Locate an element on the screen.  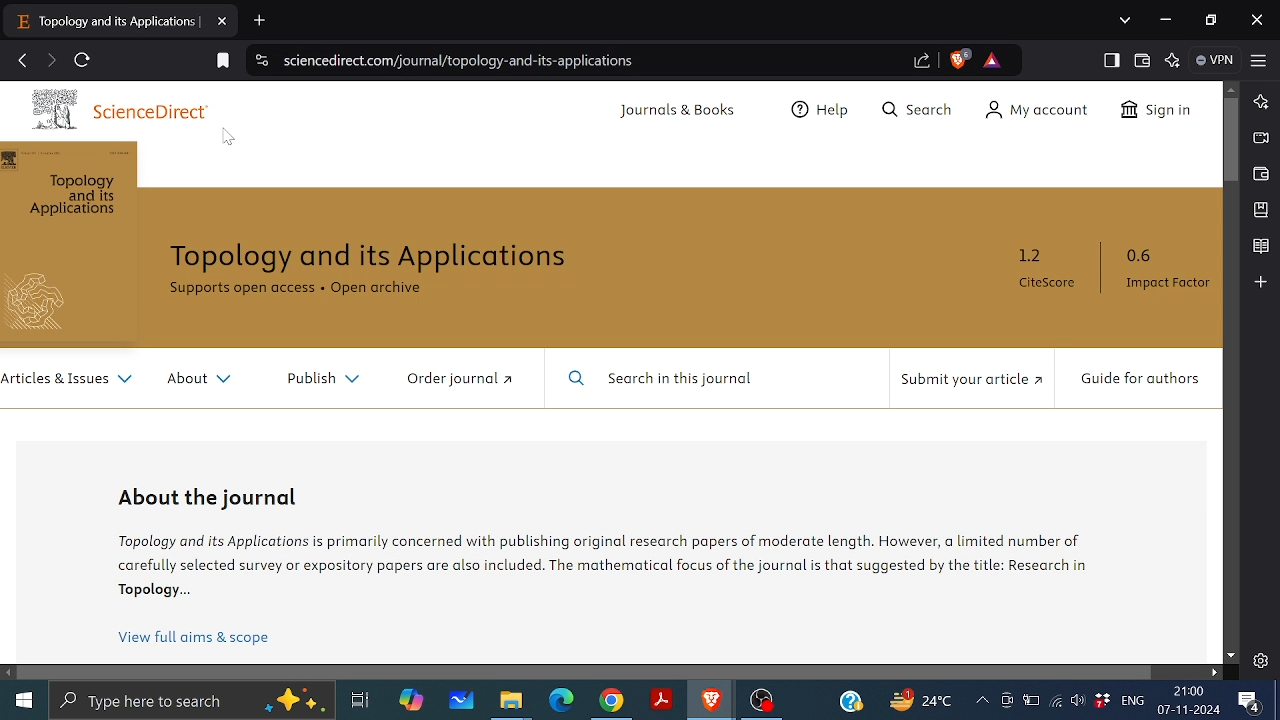
Minimize is located at coordinates (1165, 21).